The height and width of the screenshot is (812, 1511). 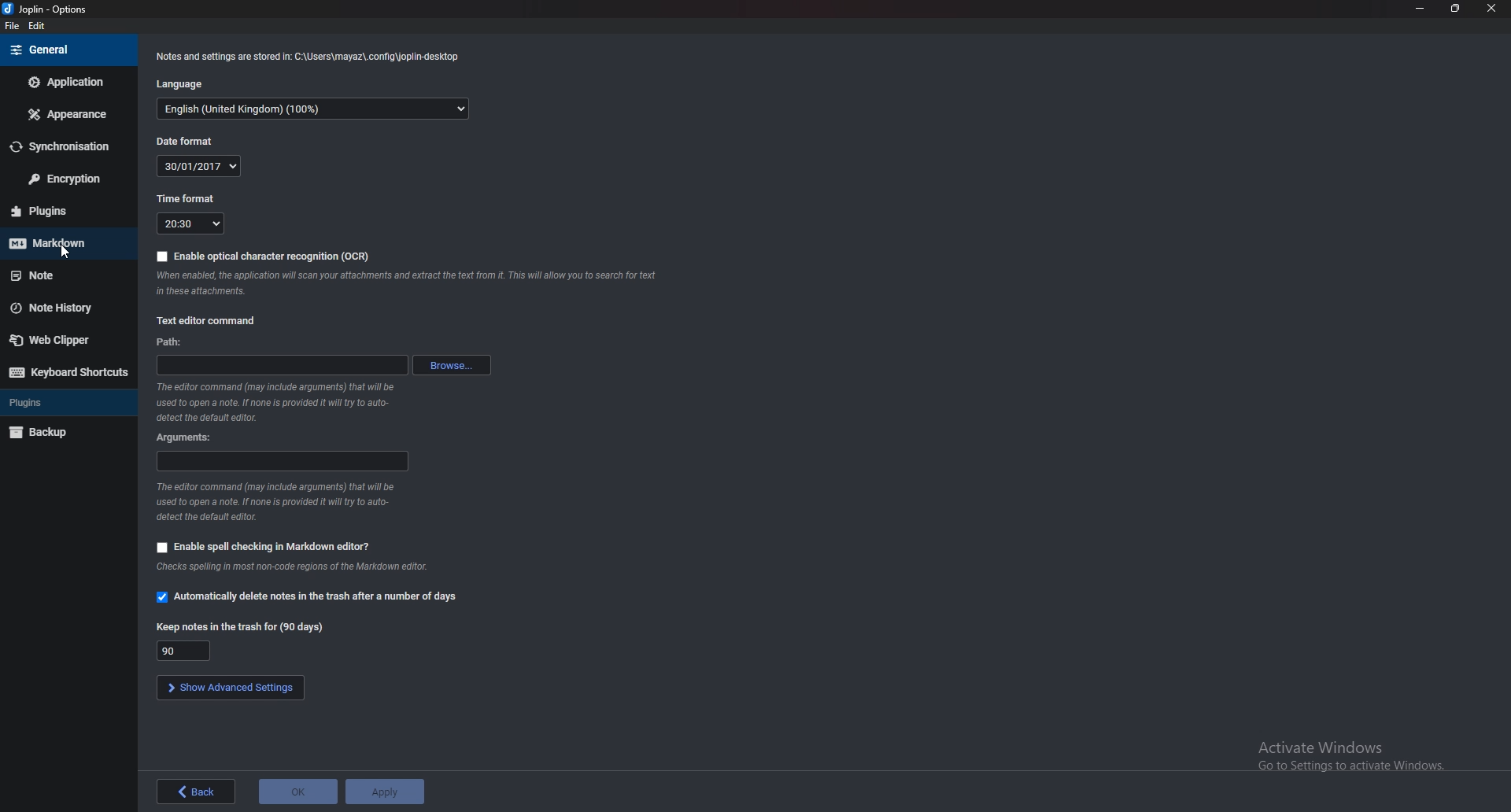 What do you see at coordinates (247, 626) in the screenshot?
I see `Keep notes in the trash for(90 days)` at bounding box center [247, 626].